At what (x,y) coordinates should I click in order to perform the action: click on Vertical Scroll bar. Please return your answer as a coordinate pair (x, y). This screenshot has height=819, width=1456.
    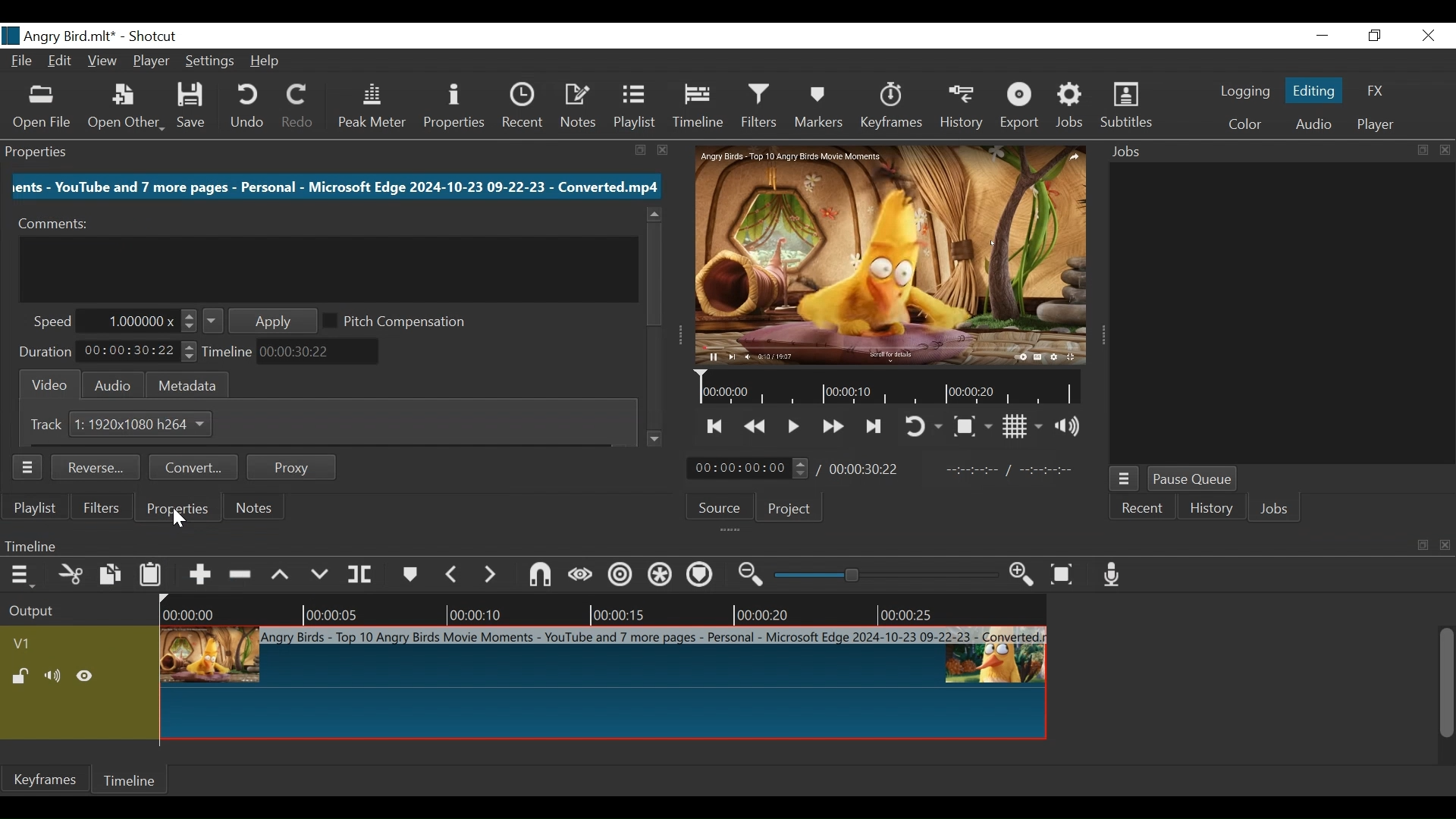
    Looking at the image, I should click on (1448, 684).